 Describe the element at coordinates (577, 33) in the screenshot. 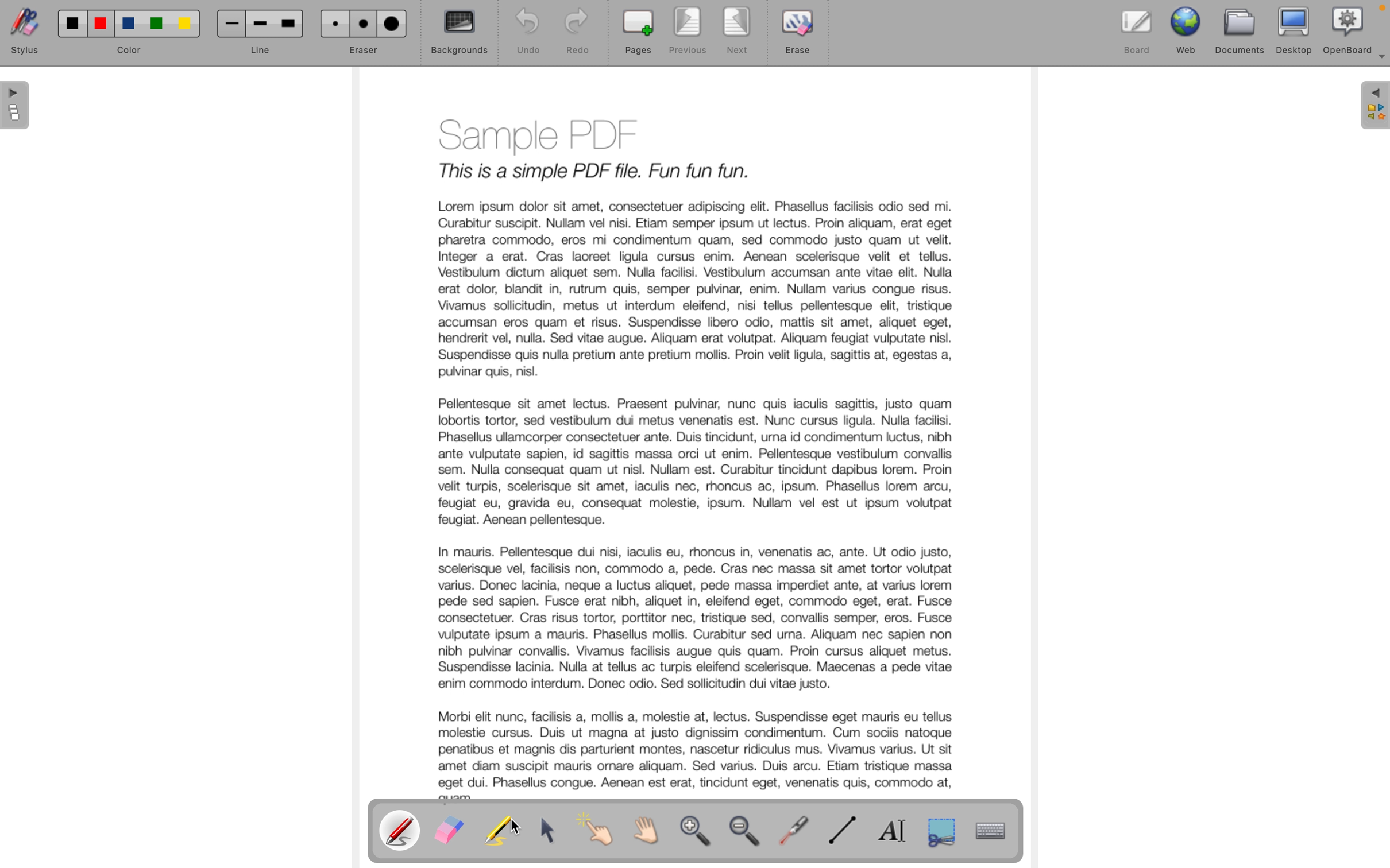

I see `redo` at that location.